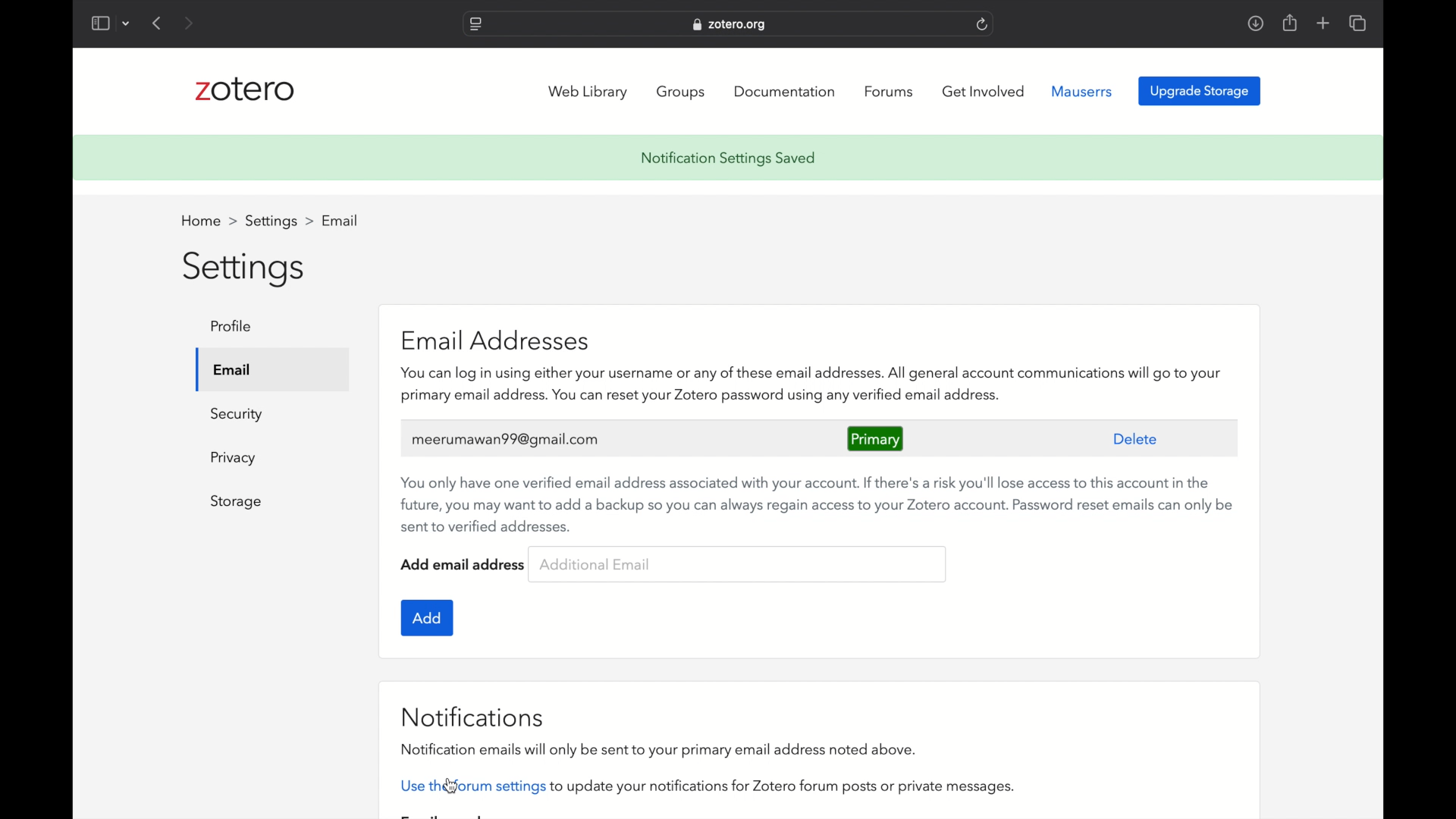 This screenshot has height=819, width=1456. Describe the element at coordinates (1357, 23) in the screenshot. I see `show tab overview` at that location.